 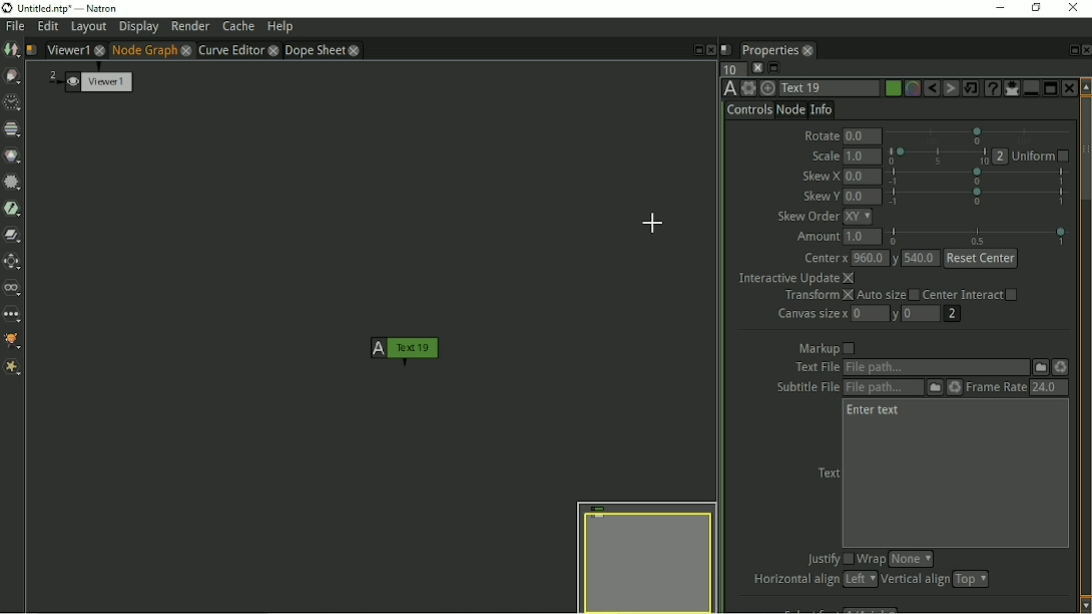 I want to click on Maximum number of panels , so click(x=729, y=70).